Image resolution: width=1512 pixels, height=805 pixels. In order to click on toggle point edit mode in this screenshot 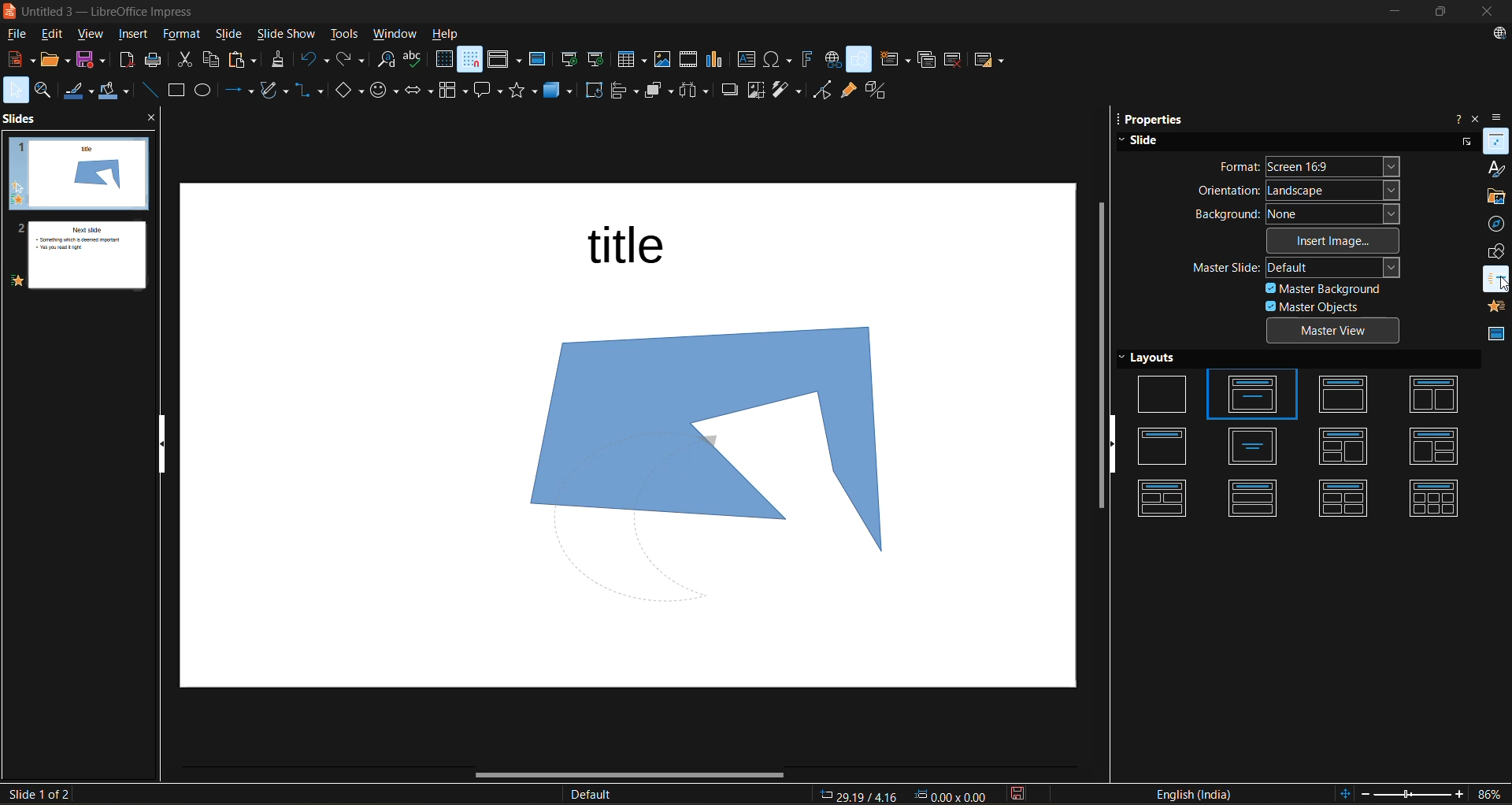, I will do `click(823, 89)`.